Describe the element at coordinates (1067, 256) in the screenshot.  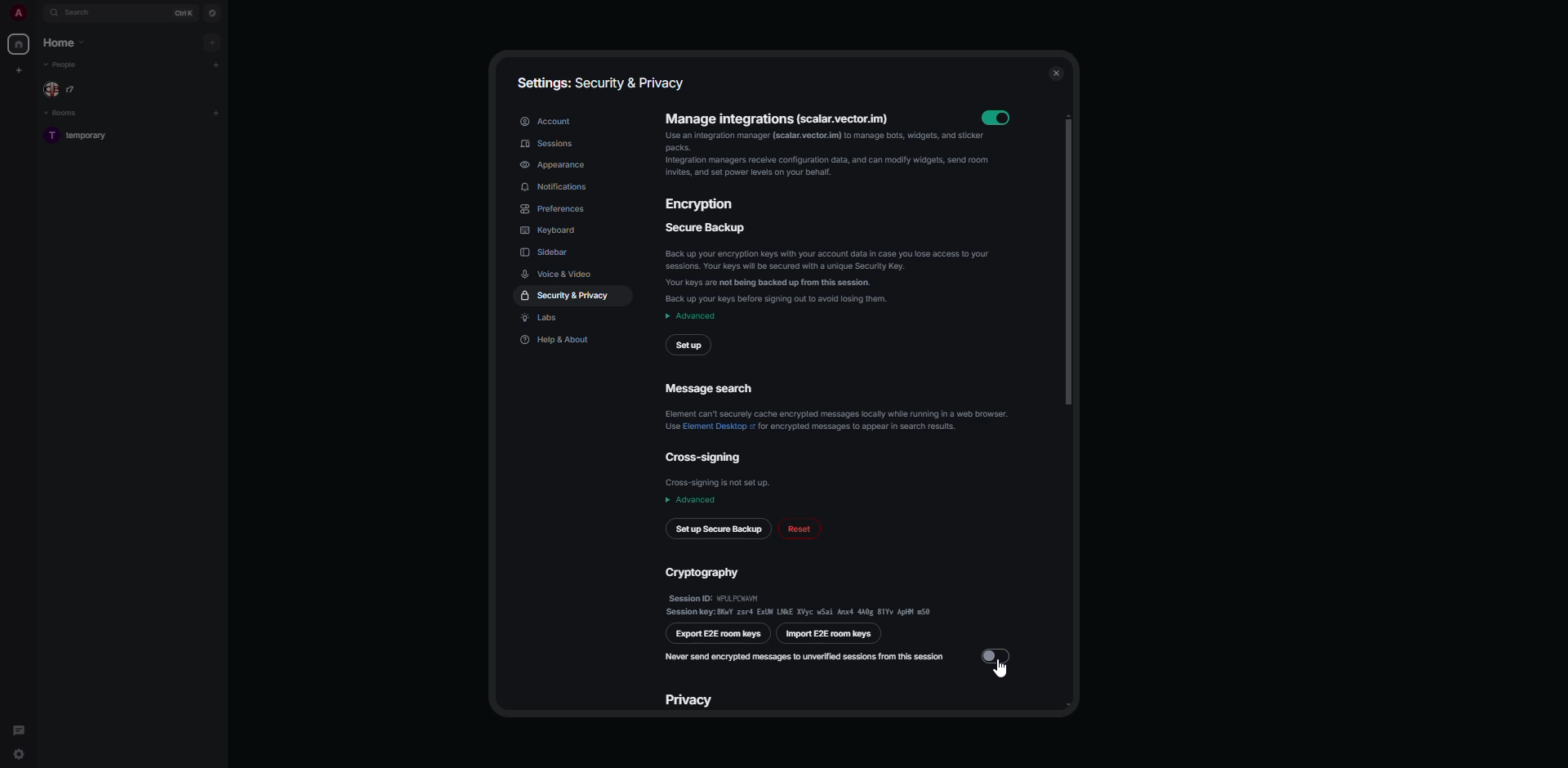
I see `scroll bar` at that location.